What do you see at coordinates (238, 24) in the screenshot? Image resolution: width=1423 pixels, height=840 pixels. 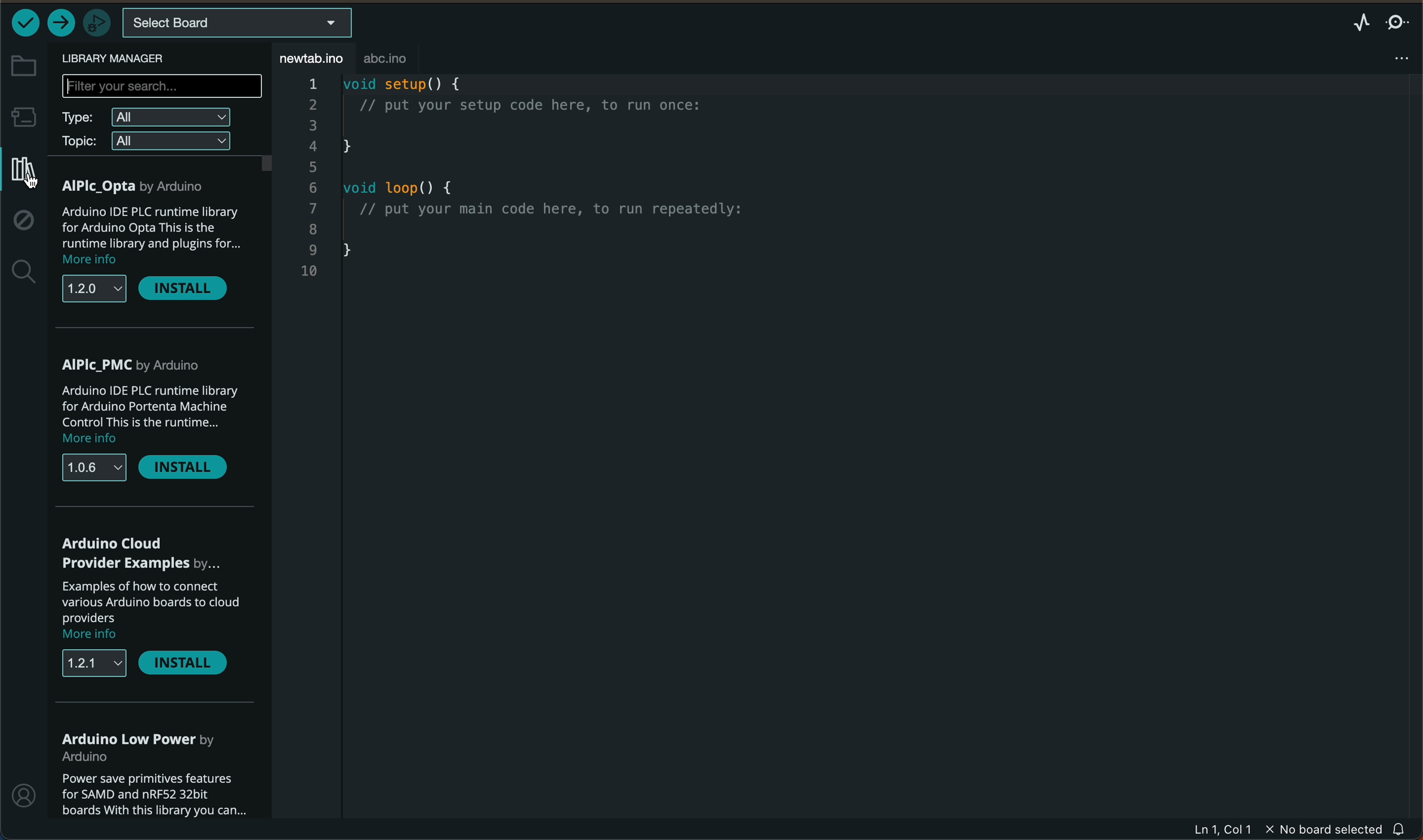 I see `select board` at bounding box center [238, 24].